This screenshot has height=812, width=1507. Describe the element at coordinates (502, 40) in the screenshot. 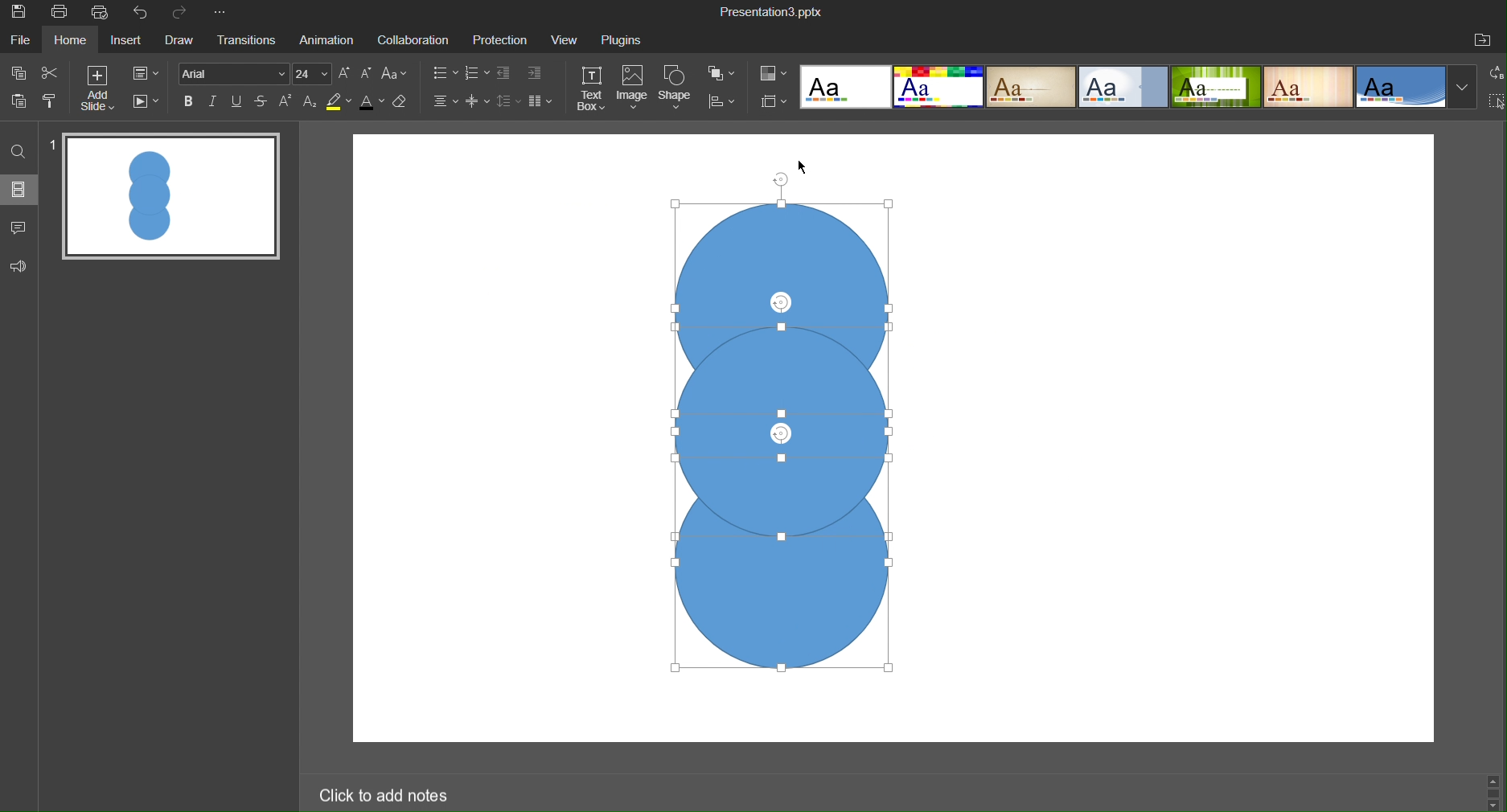

I see `Protection` at that location.